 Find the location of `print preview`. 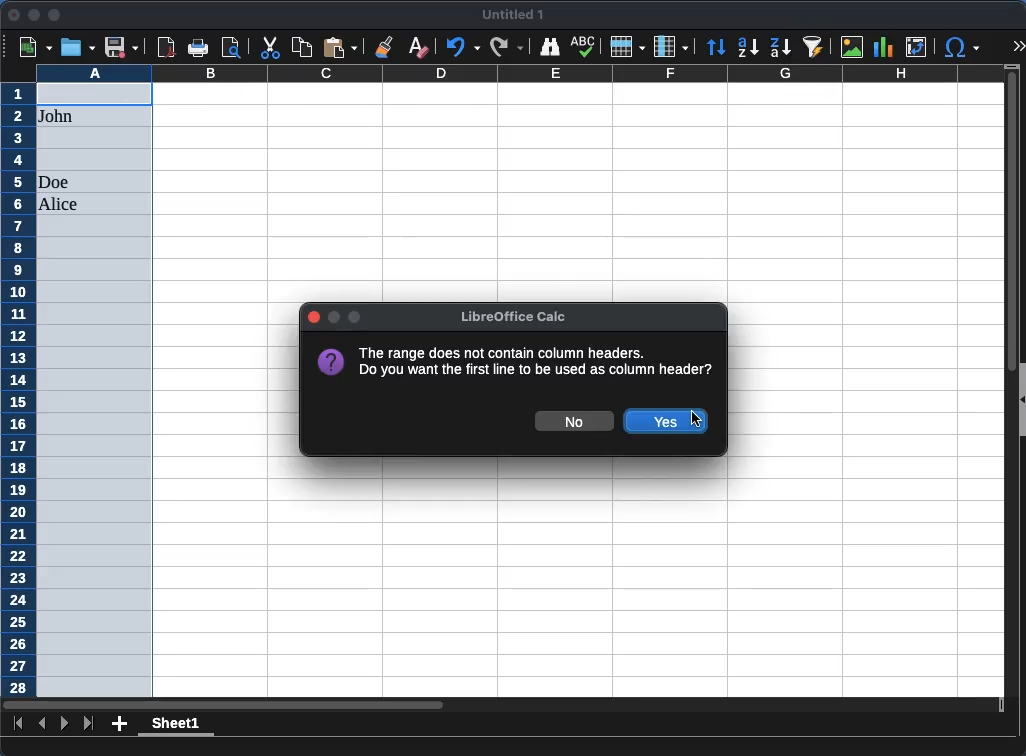

print preview is located at coordinates (231, 47).